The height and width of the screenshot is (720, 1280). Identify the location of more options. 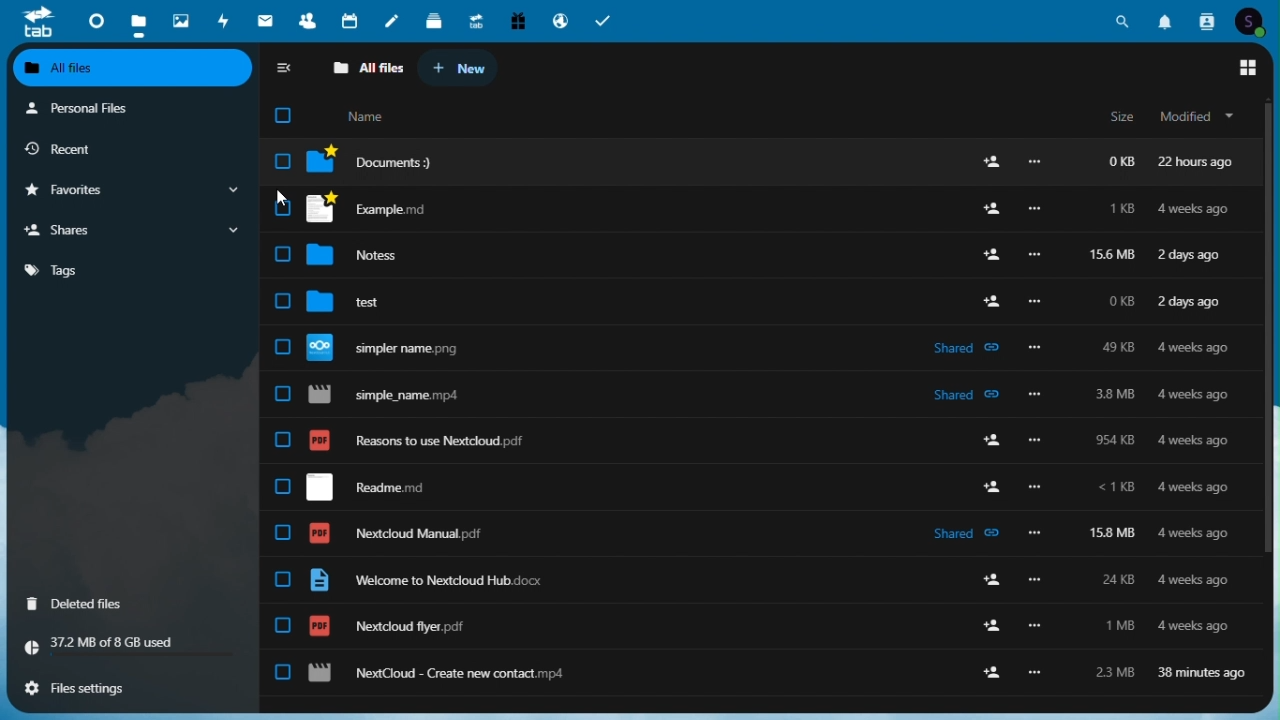
(1035, 393).